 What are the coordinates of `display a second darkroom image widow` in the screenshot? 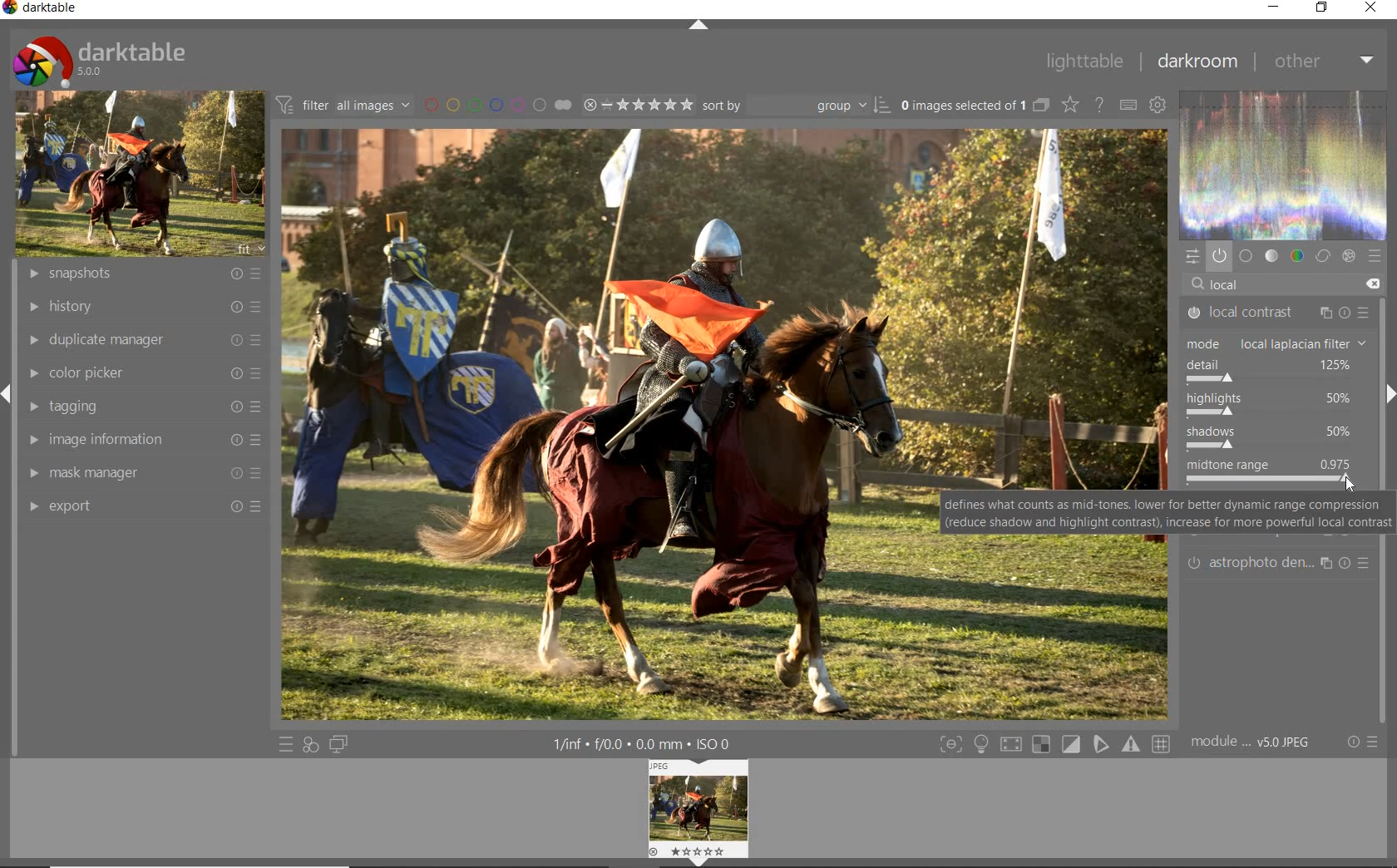 It's located at (340, 744).